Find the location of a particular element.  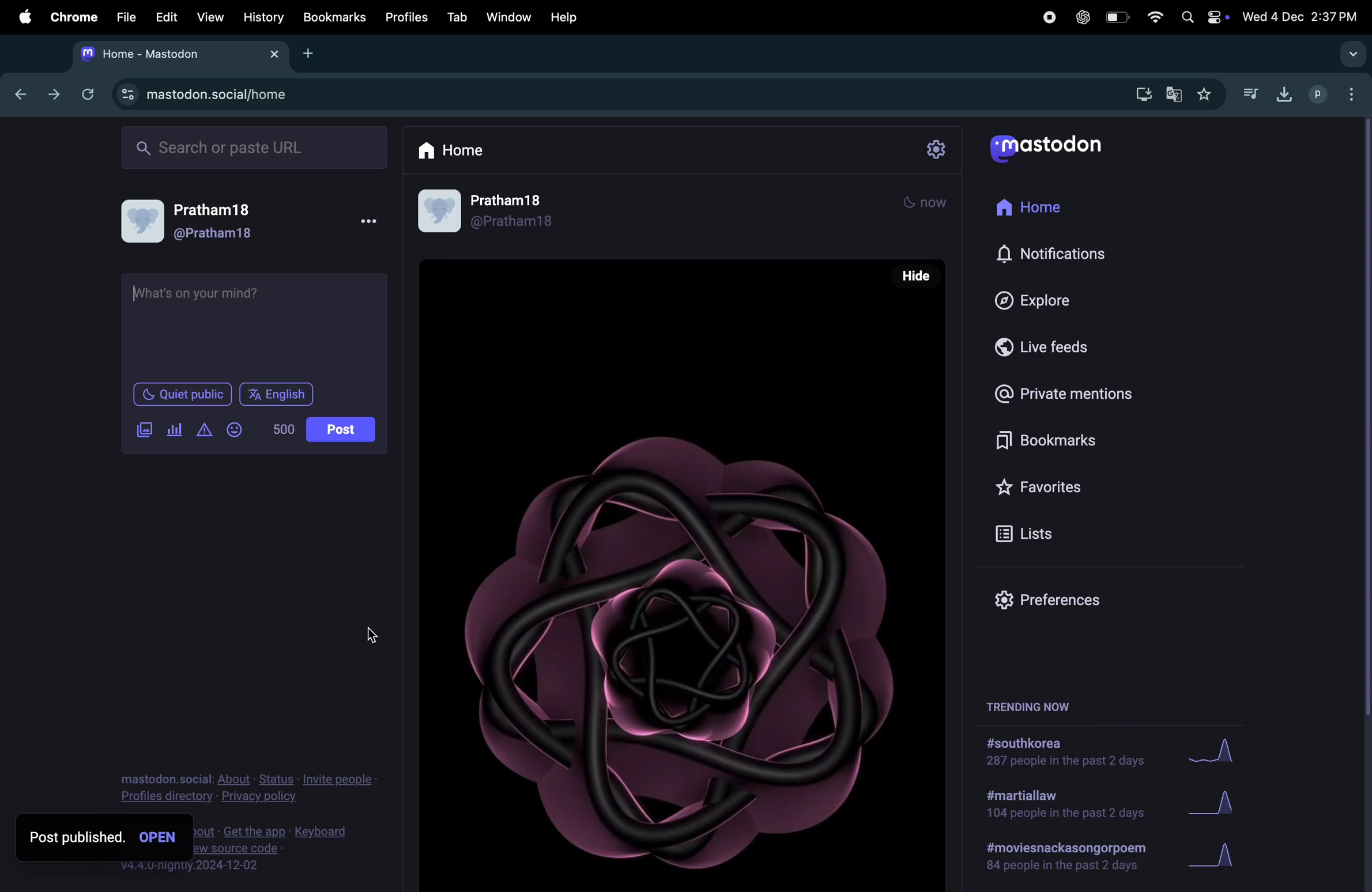

scroll bar is located at coordinates (1363, 419).